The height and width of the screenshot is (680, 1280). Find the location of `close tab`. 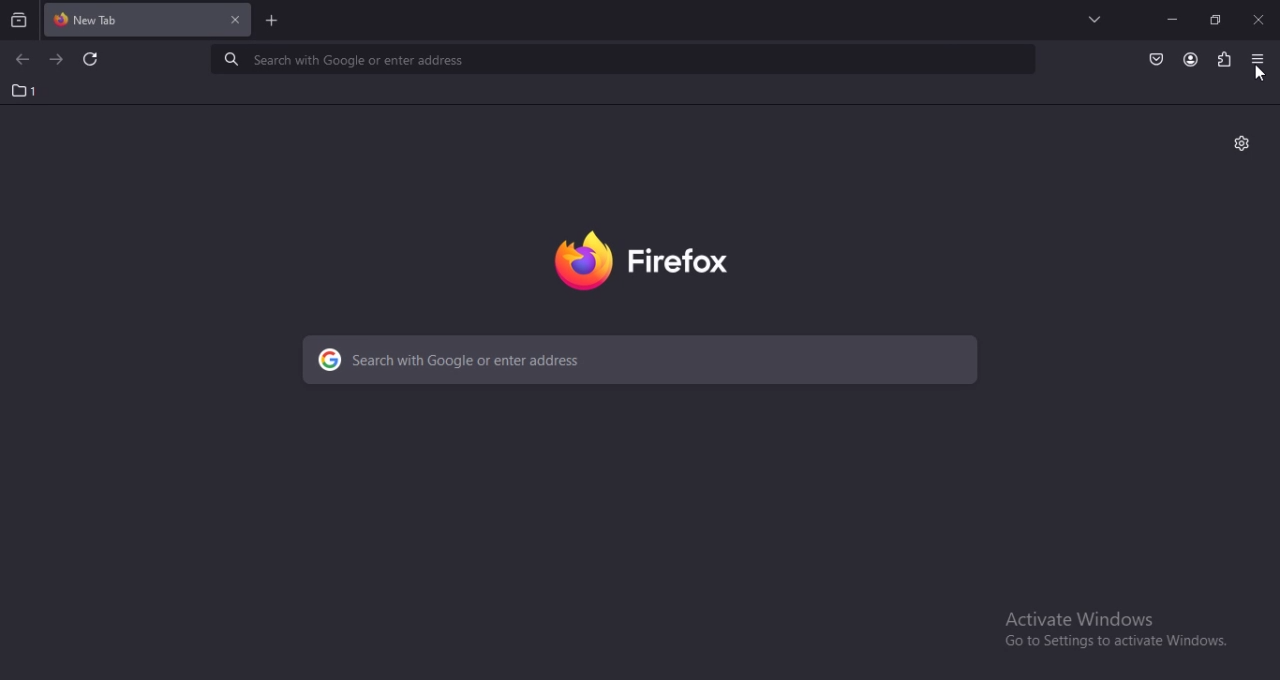

close tab is located at coordinates (232, 20).